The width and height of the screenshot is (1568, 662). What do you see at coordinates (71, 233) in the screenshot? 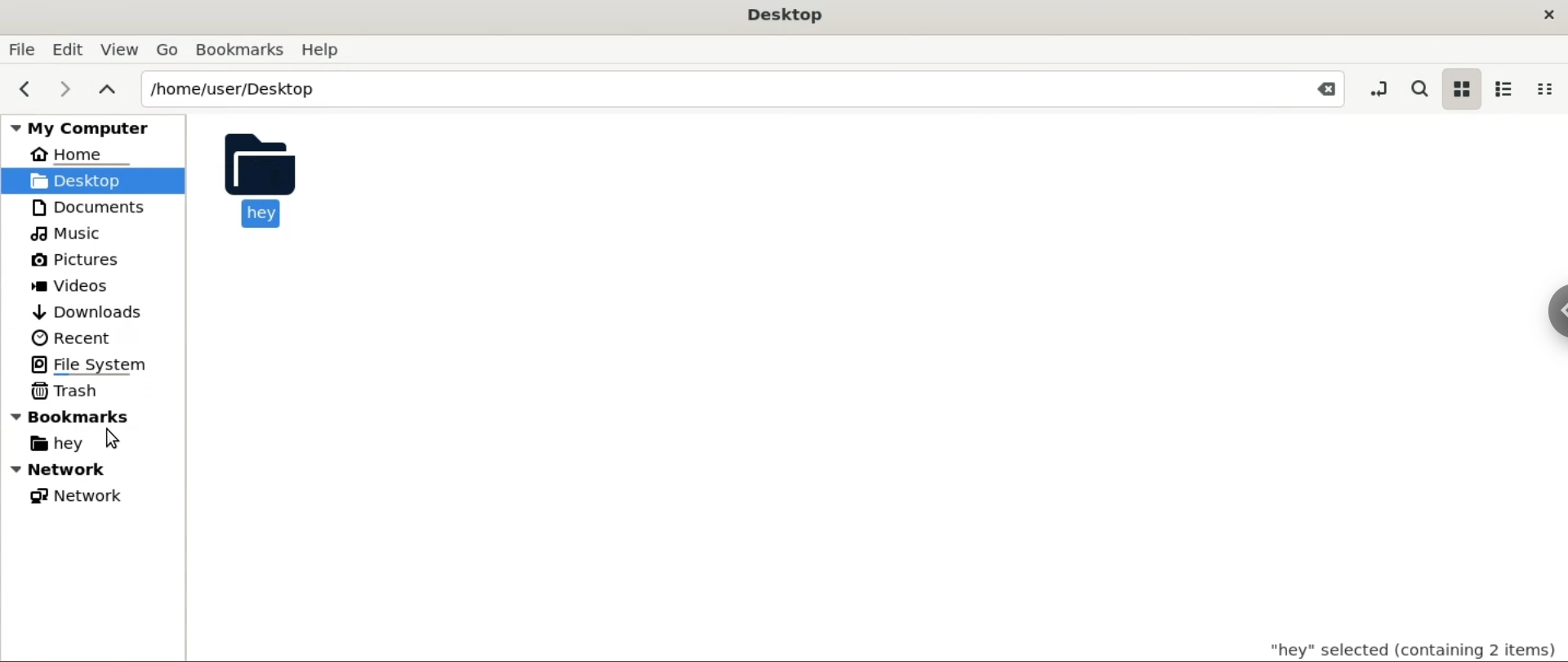
I see `Music` at bounding box center [71, 233].